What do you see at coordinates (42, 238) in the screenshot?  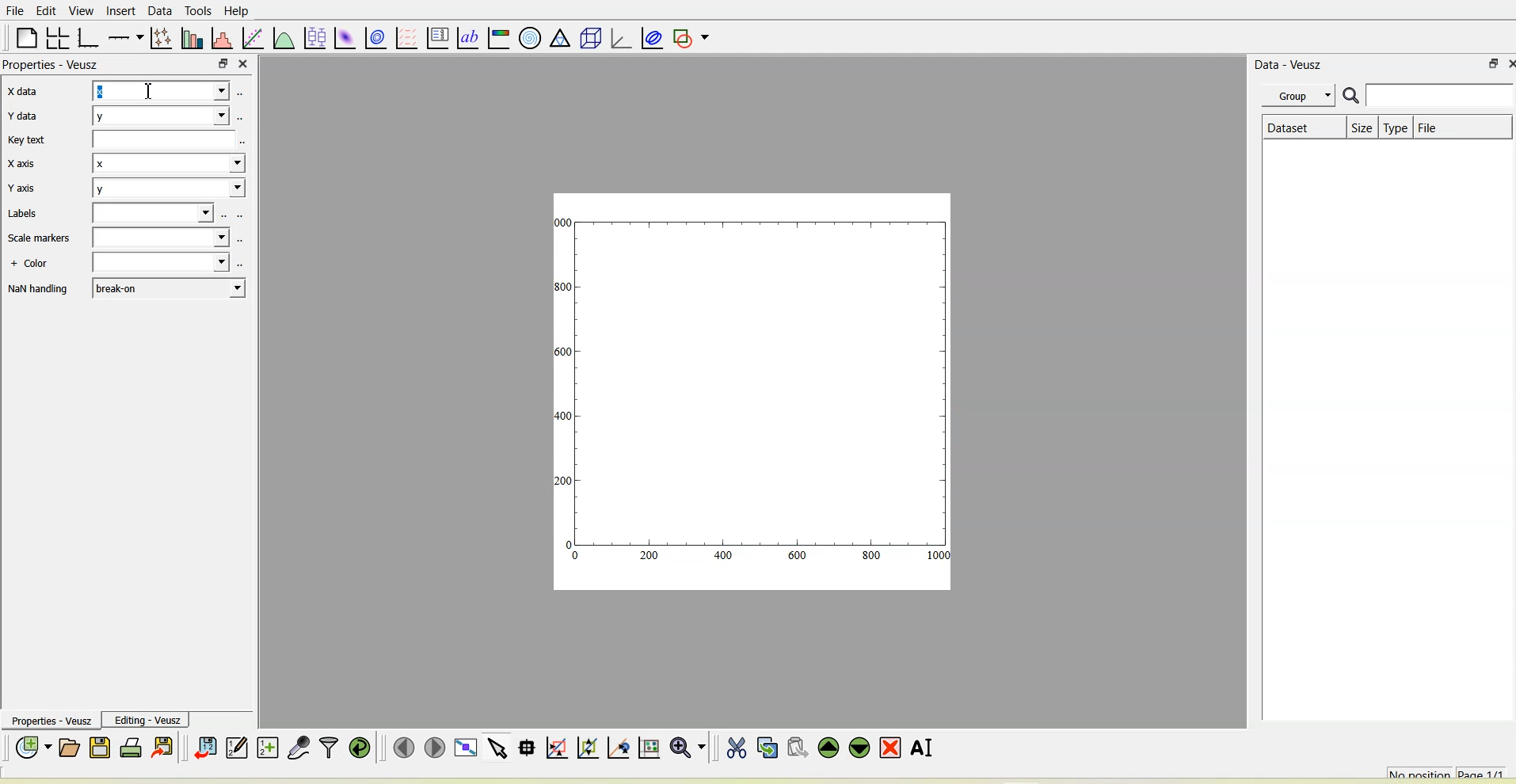 I see `Scale markers` at bounding box center [42, 238].